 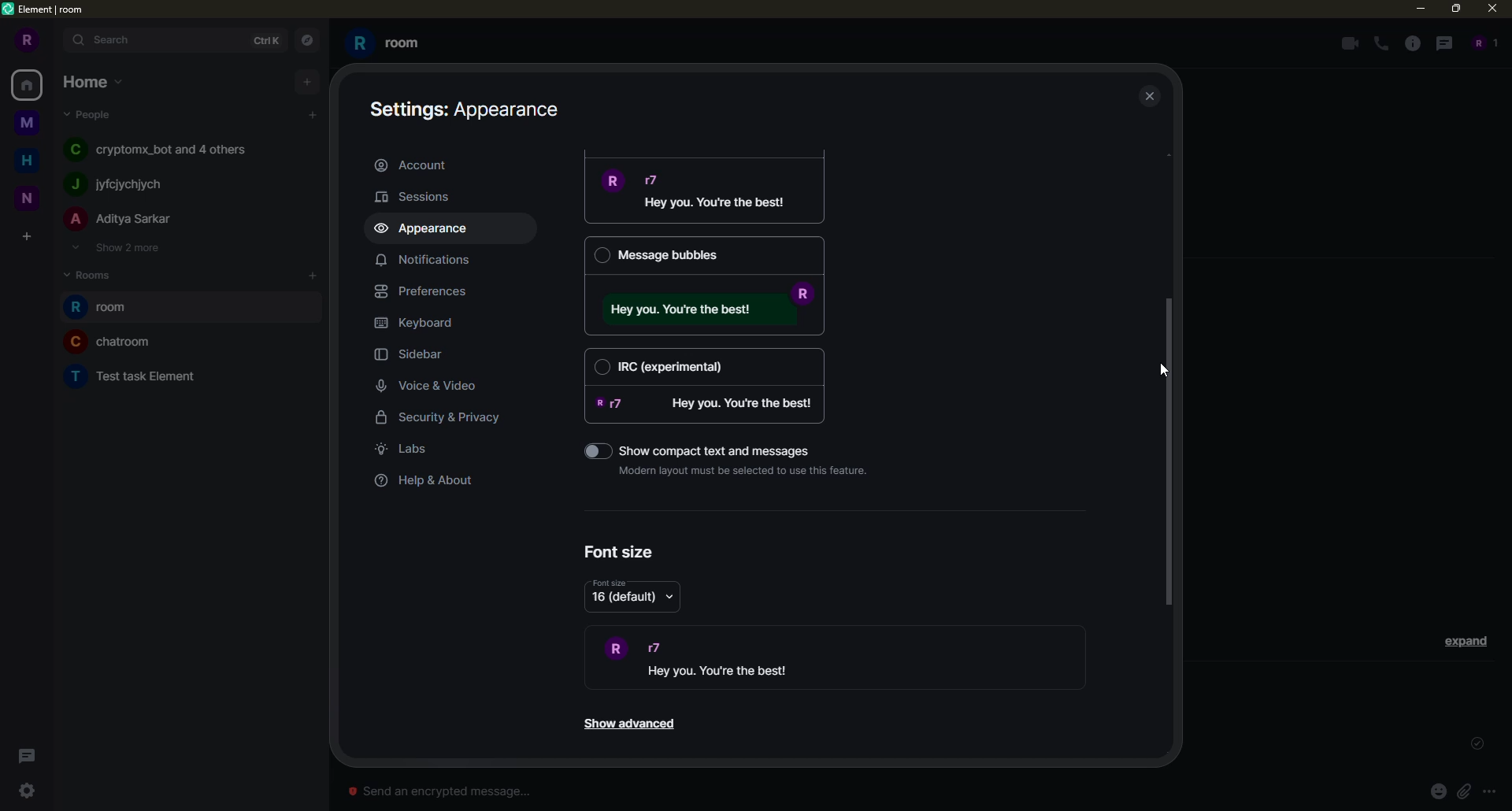 What do you see at coordinates (263, 39) in the screenshot?
I see `ctrlK` at bounding box center [263, 39].